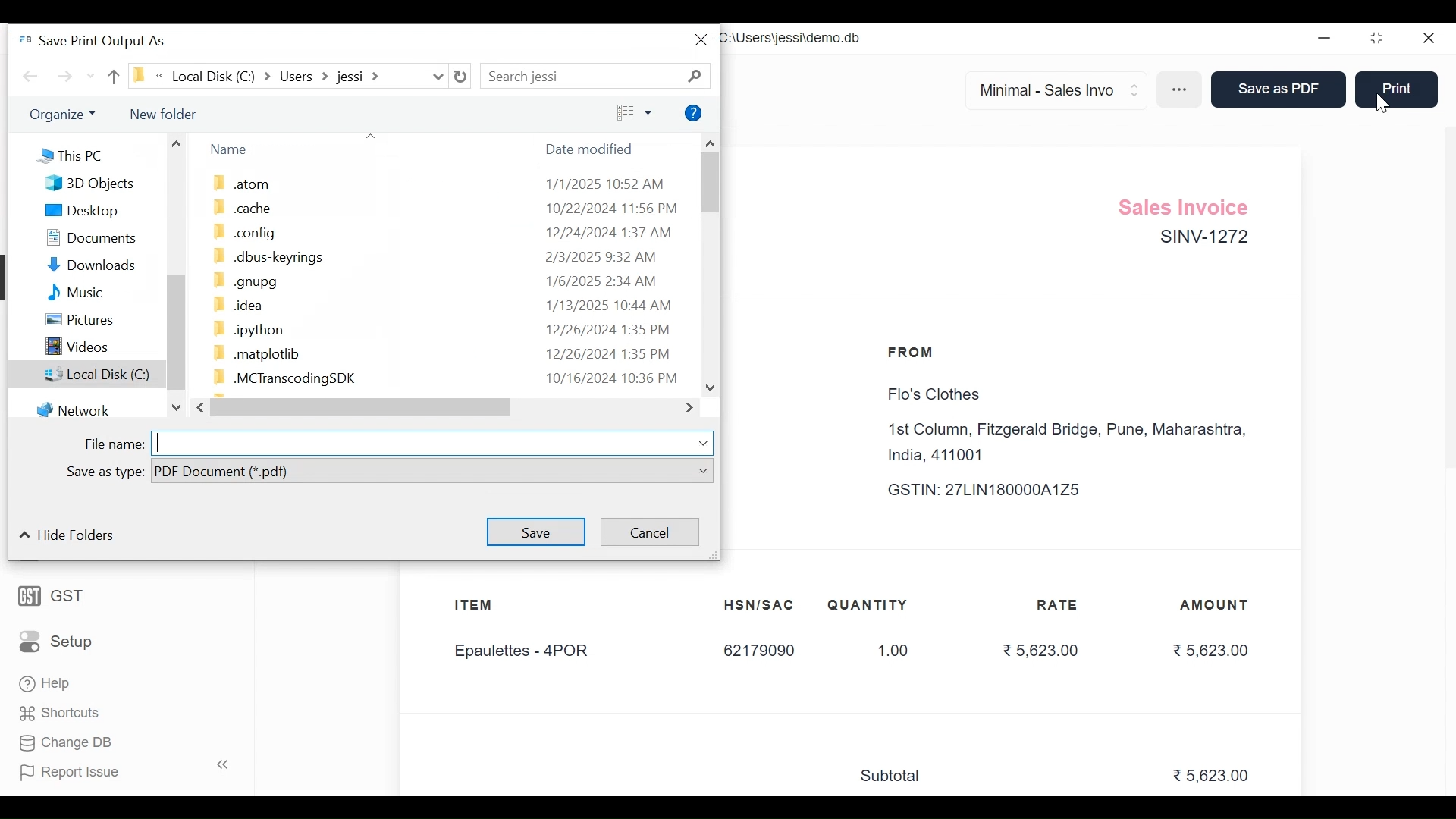  What do you see at coordinates (701, 41) in the screenshot?
I see `Close` at bounding box center [701, 41].